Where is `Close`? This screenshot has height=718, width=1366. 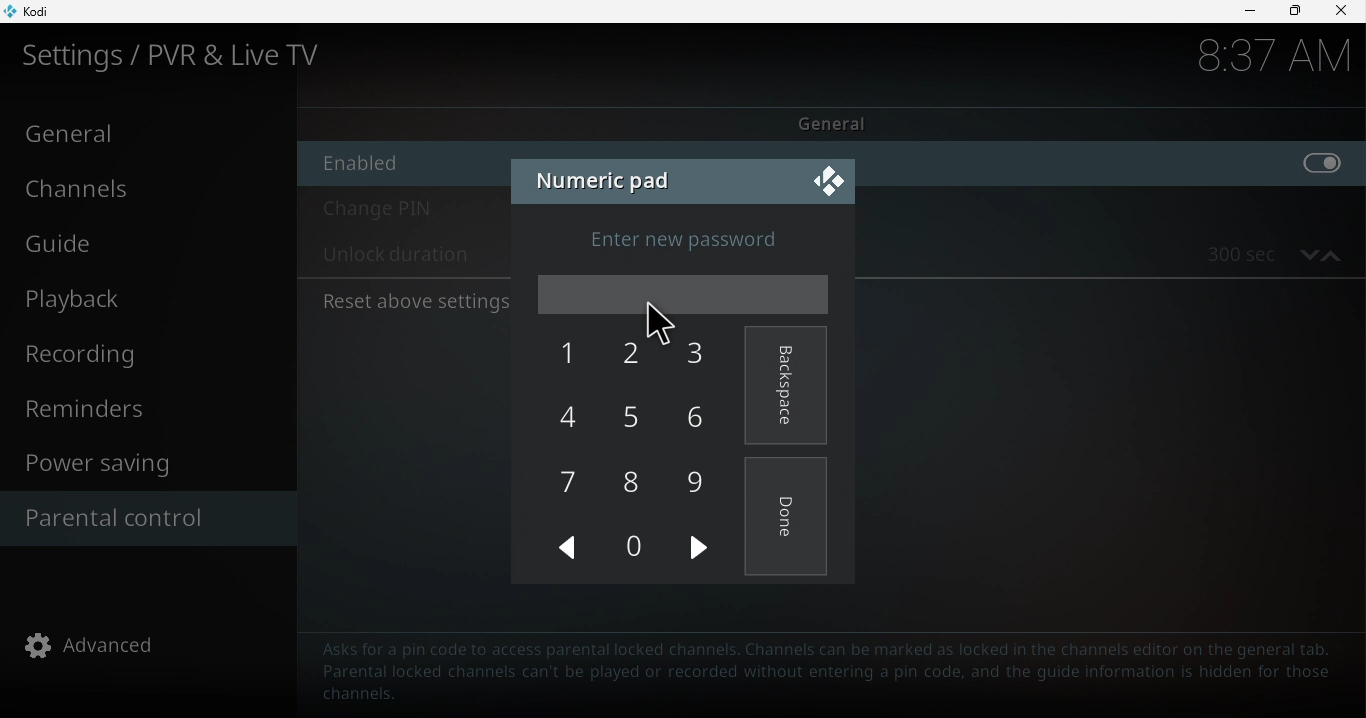
Close is located at coordinates (825, 181).